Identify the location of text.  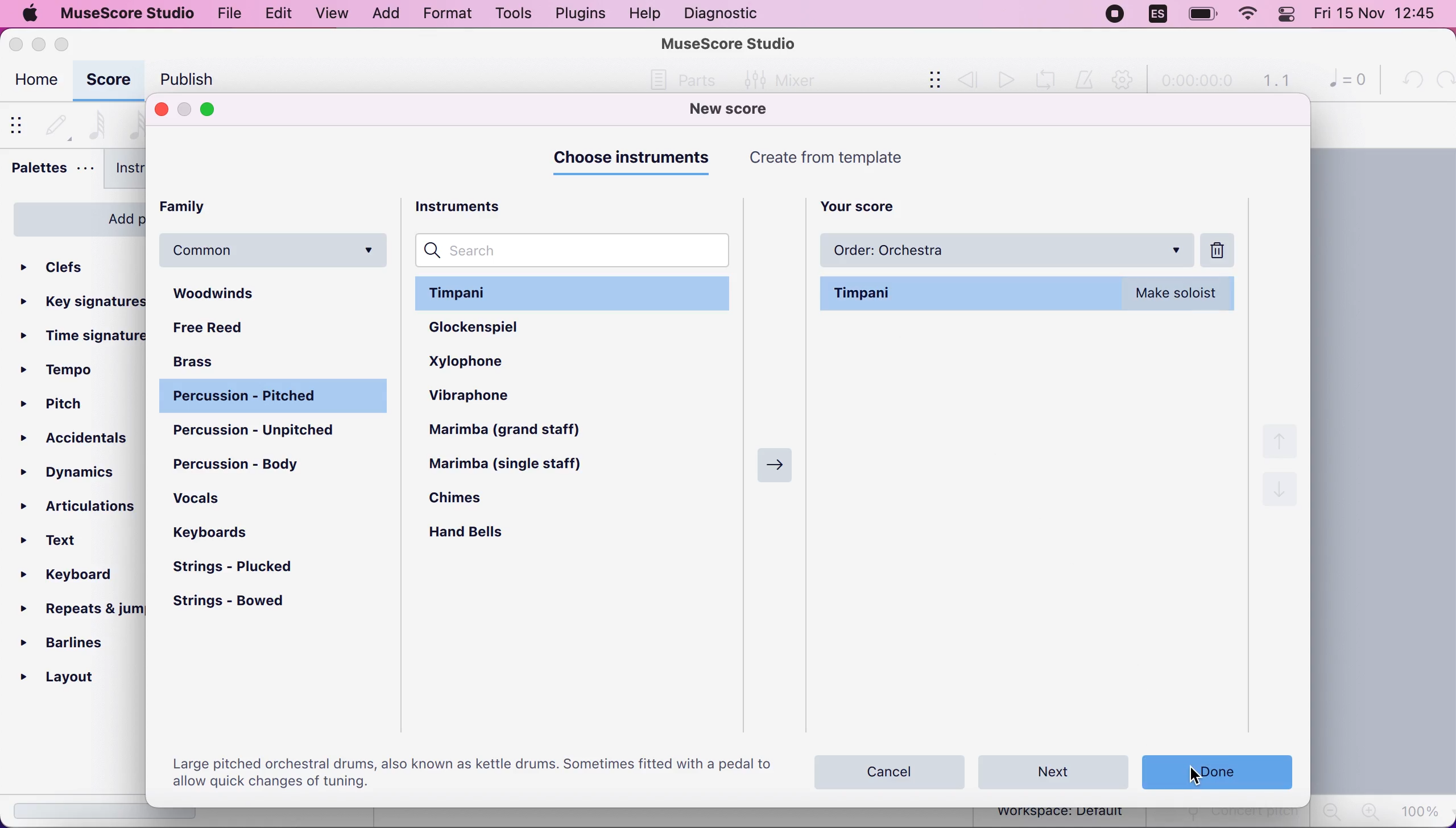
(64, 541).